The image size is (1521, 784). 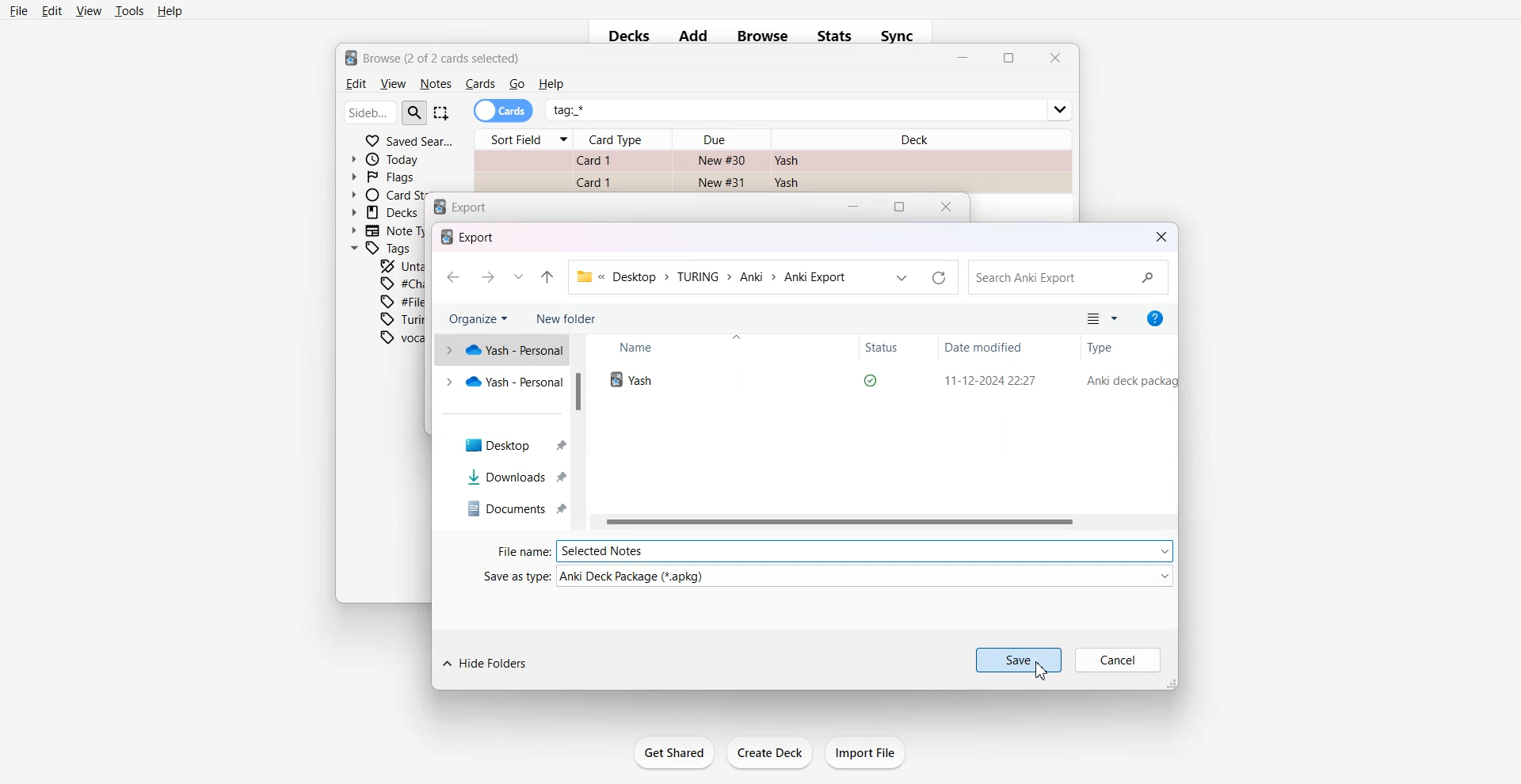 What do you see at coordinates (1126, 347) in the screenshot?
I see `Type` at bounding box center [1126, 347].